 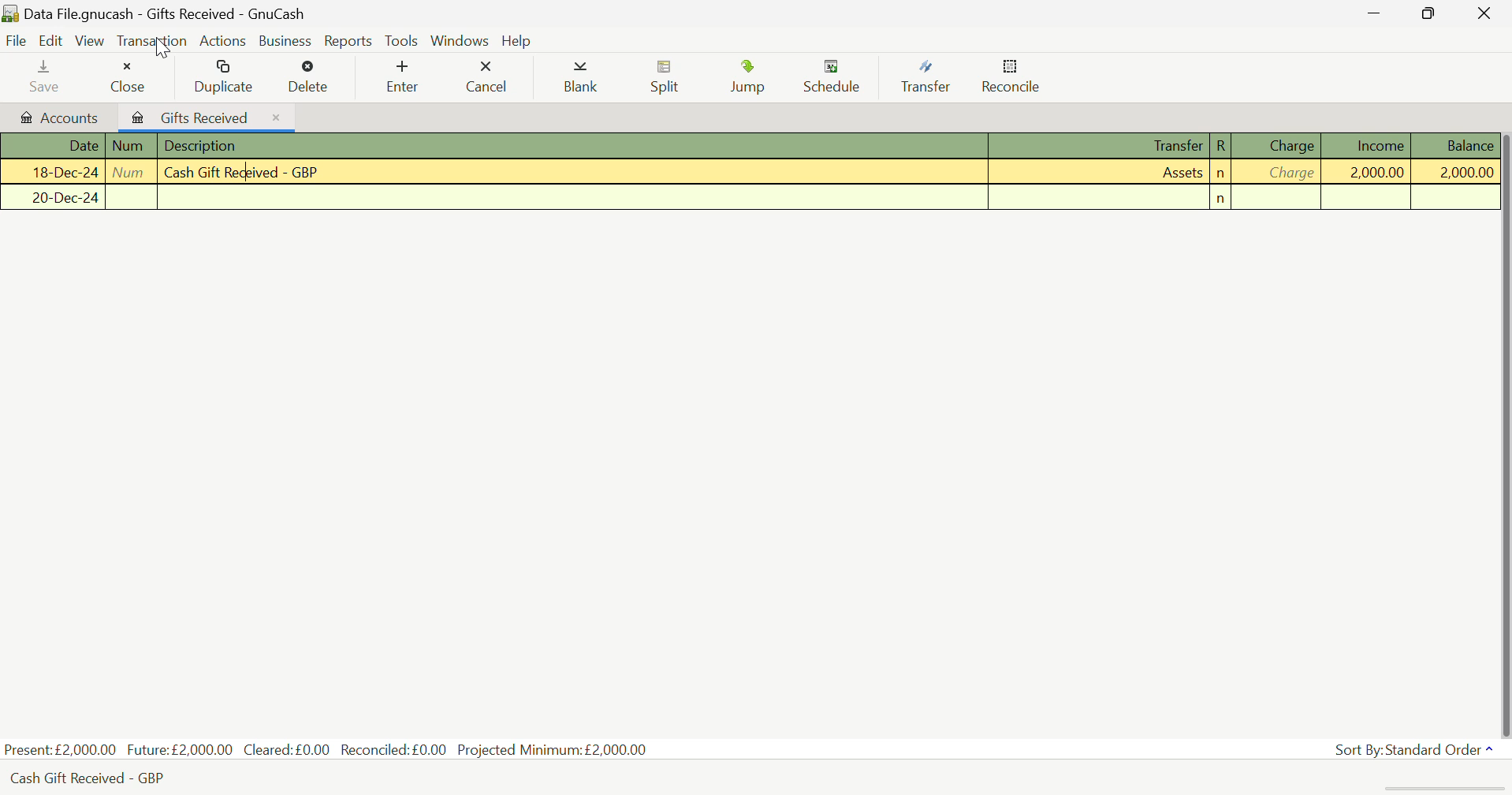 What do you see at coordinates (574, 147) in the screenshot?
I see `Description` at bounding box center [574, 147].